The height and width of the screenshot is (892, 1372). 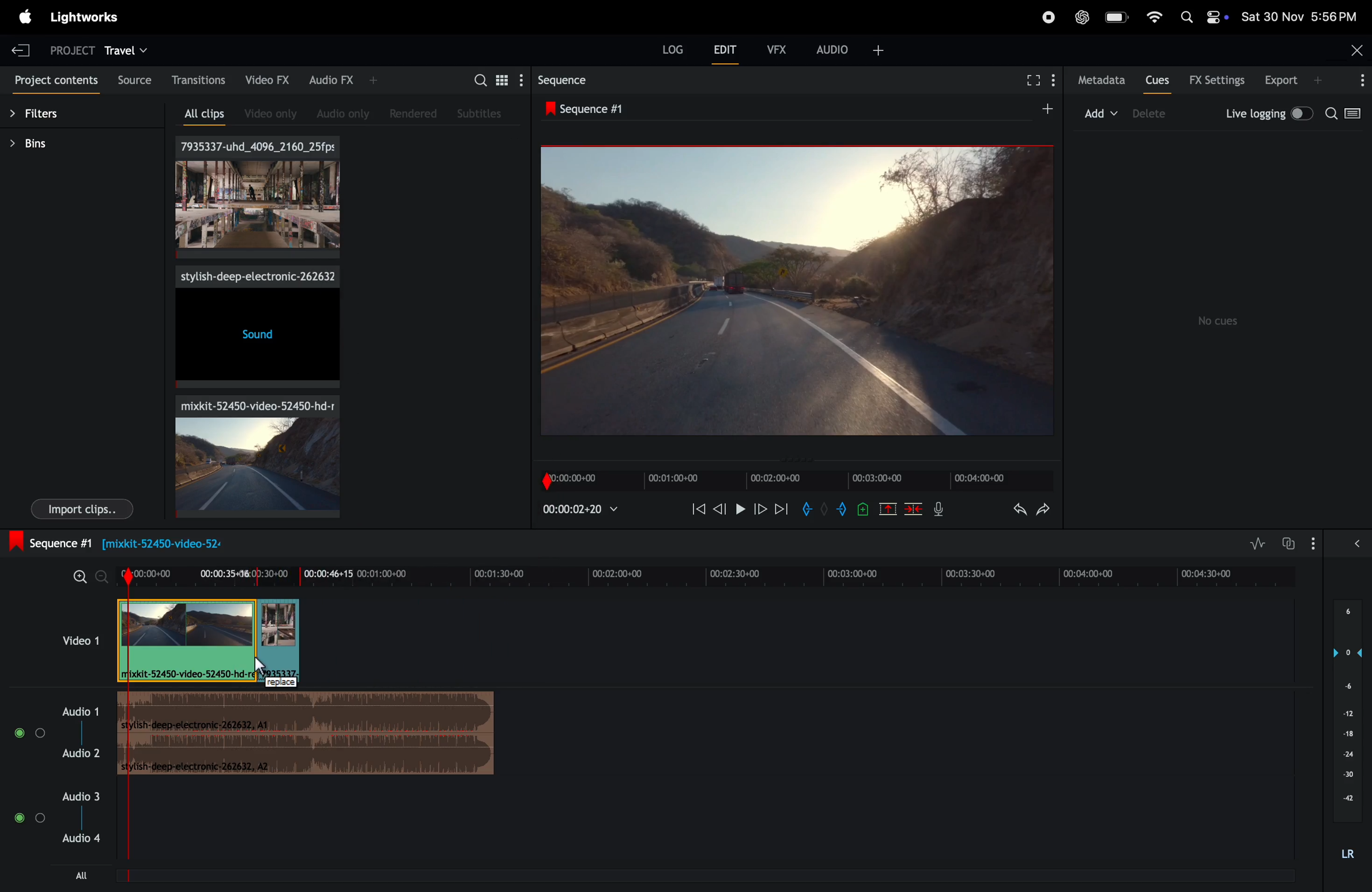 I want to click on record, so click(x=1042, y=16).